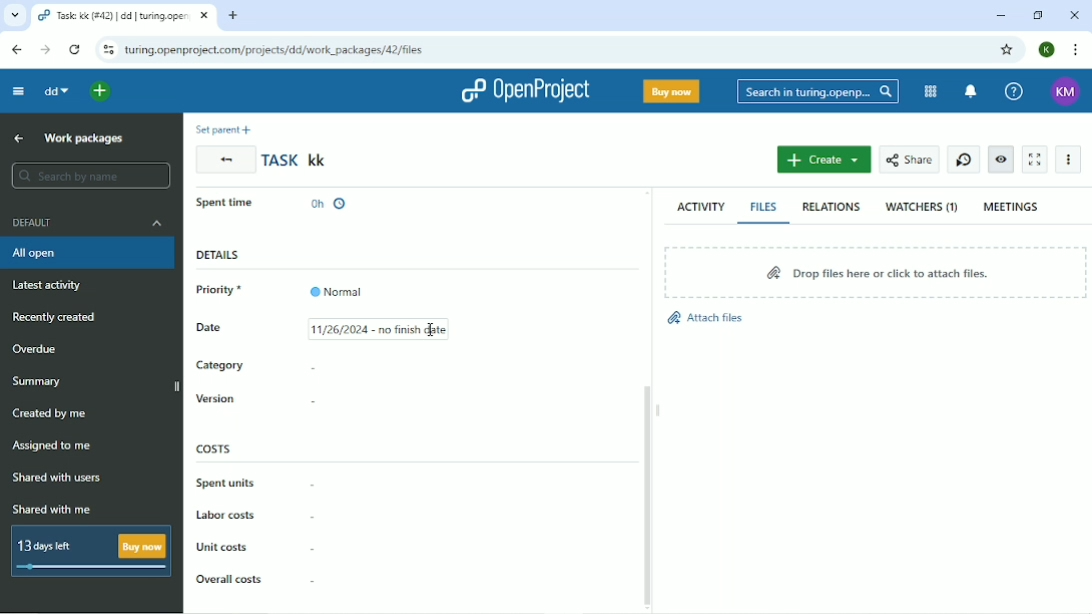  I want to click on Activate zen mode, so click(1036, 160).